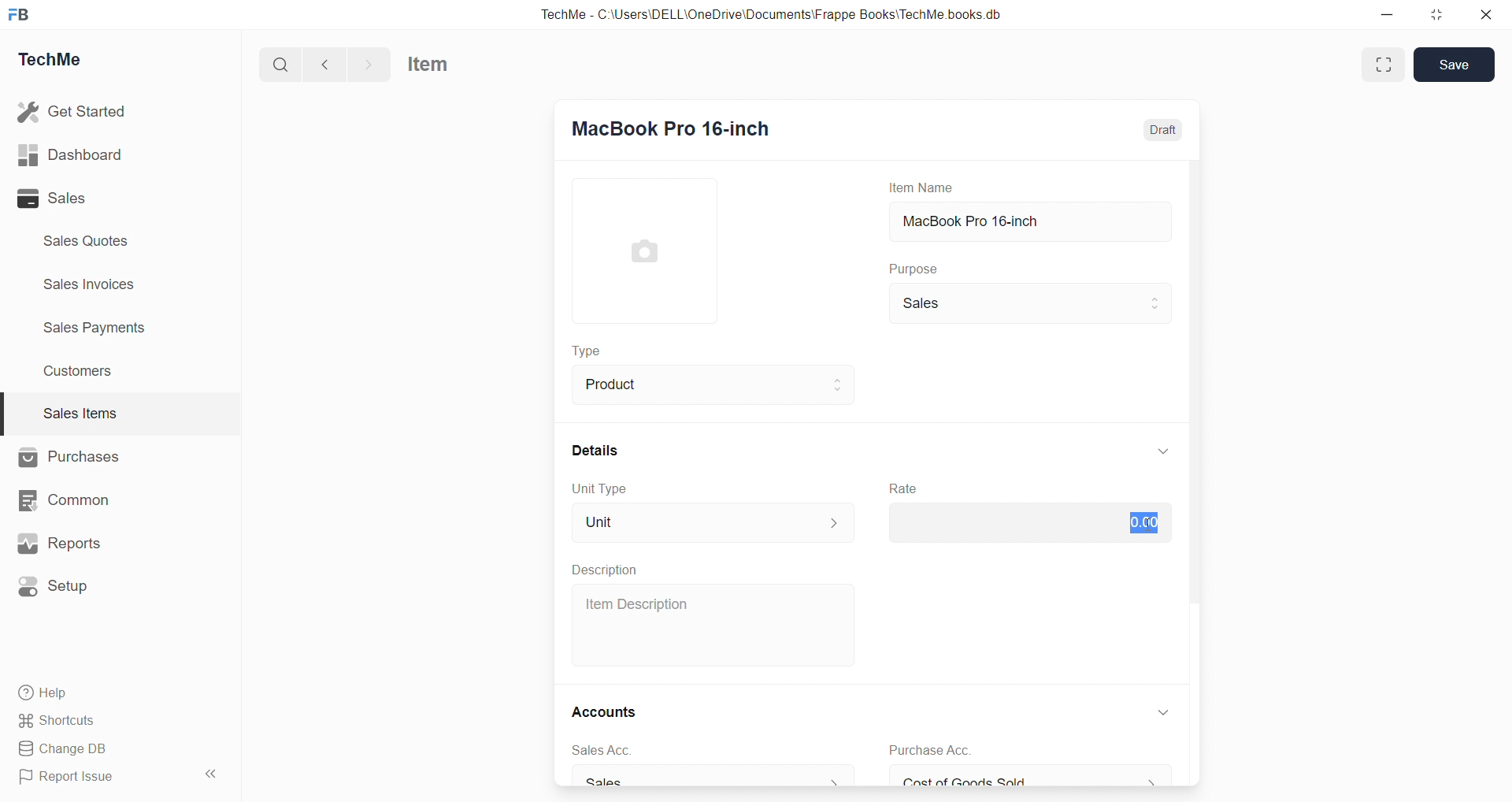 The image size is (1512, 802). Describe the element at coordinates (73, 112) in the screenshot. I see `Get Started` at that location.